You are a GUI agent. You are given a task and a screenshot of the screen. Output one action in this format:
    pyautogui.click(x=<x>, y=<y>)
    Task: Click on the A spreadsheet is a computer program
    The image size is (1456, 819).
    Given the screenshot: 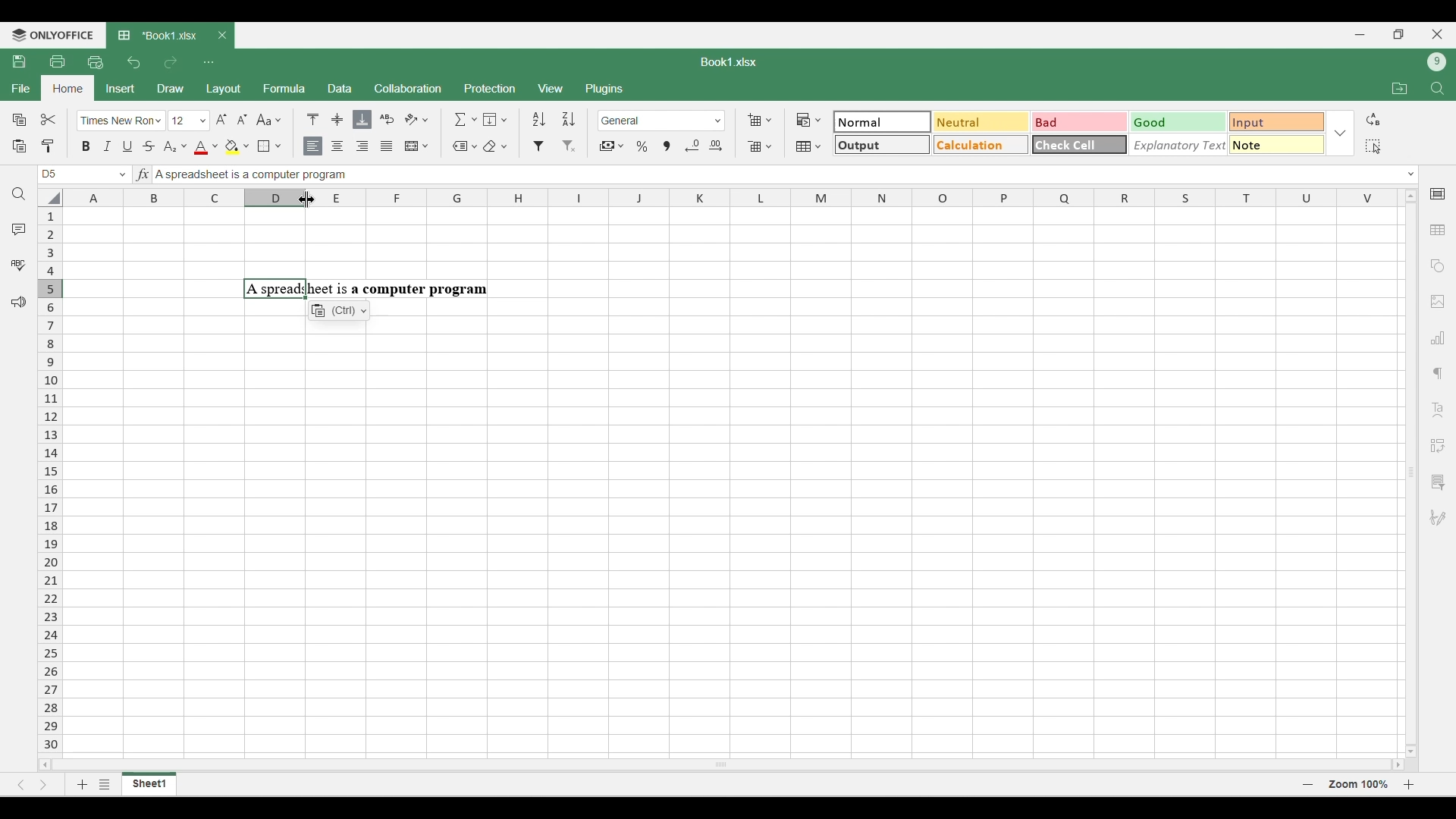 What is the action you would take?
    pyautogui.click(x=352, y=175)
    